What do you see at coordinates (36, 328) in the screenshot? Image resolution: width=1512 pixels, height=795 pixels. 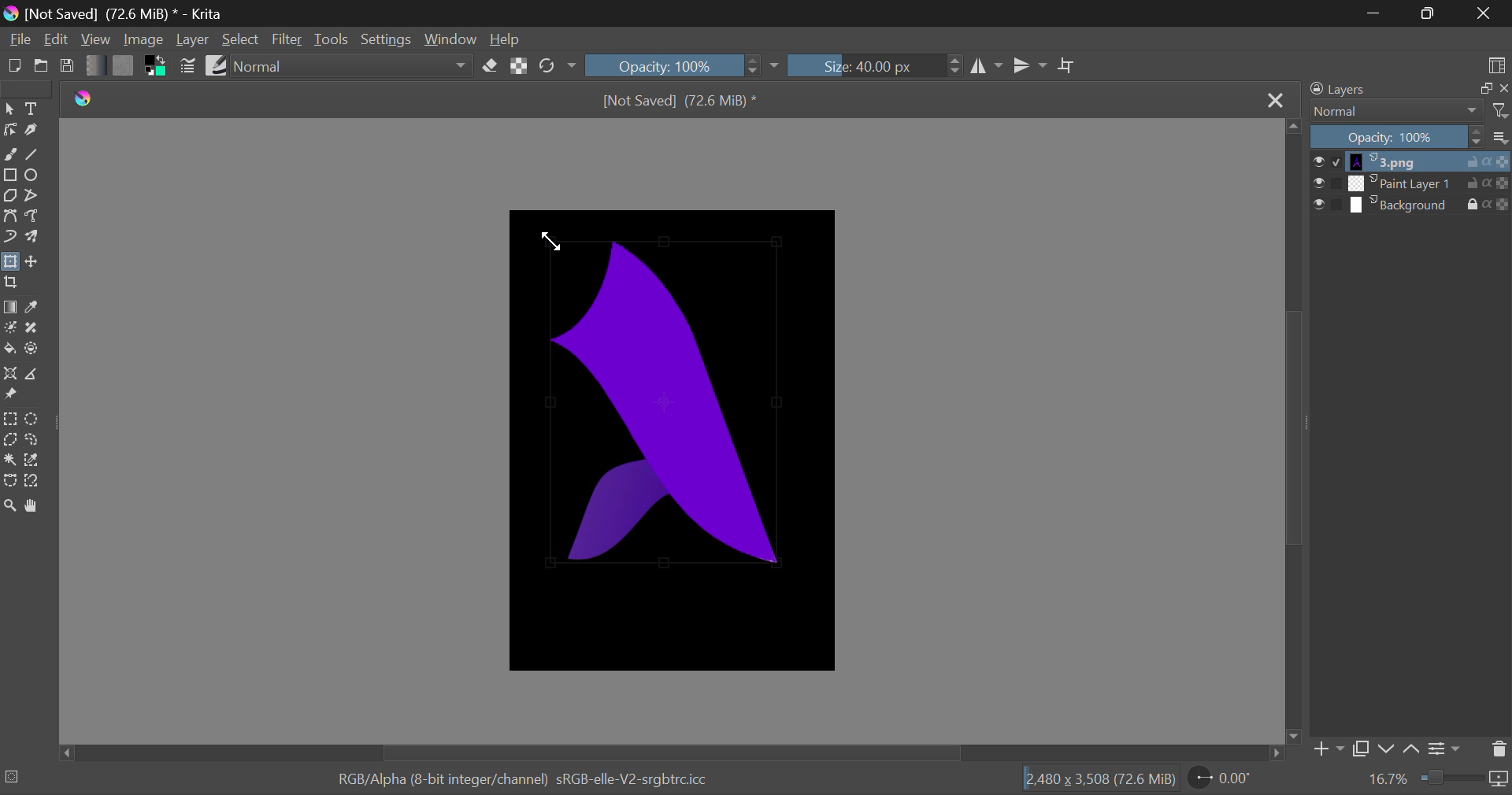 I see `Smart Patch Tool` at bounding box center [36, 328].